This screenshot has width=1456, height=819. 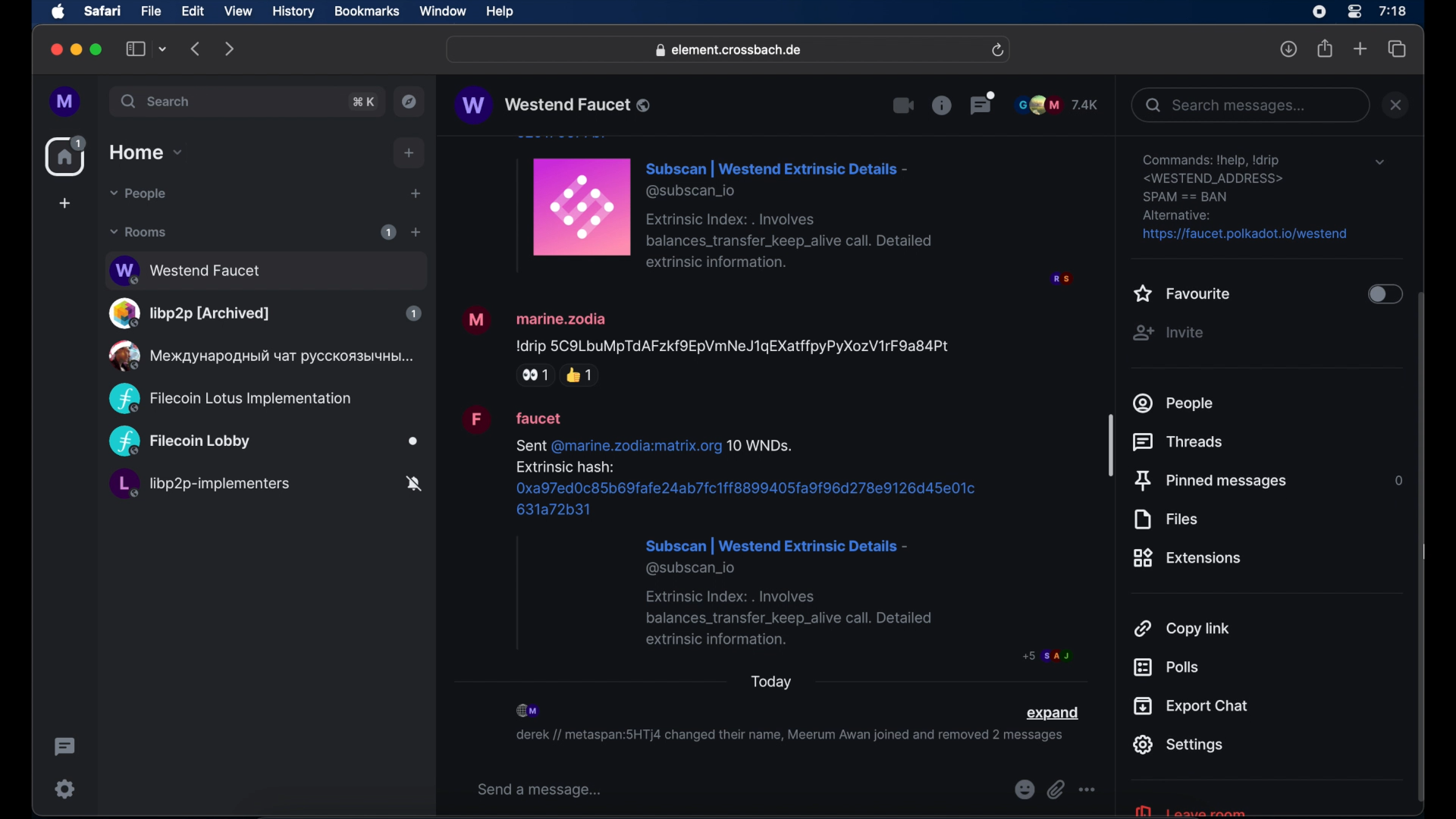 What do you see at coordinates (443, 11) in the screenshot?
I see `window` at bounding box center [443, 11].